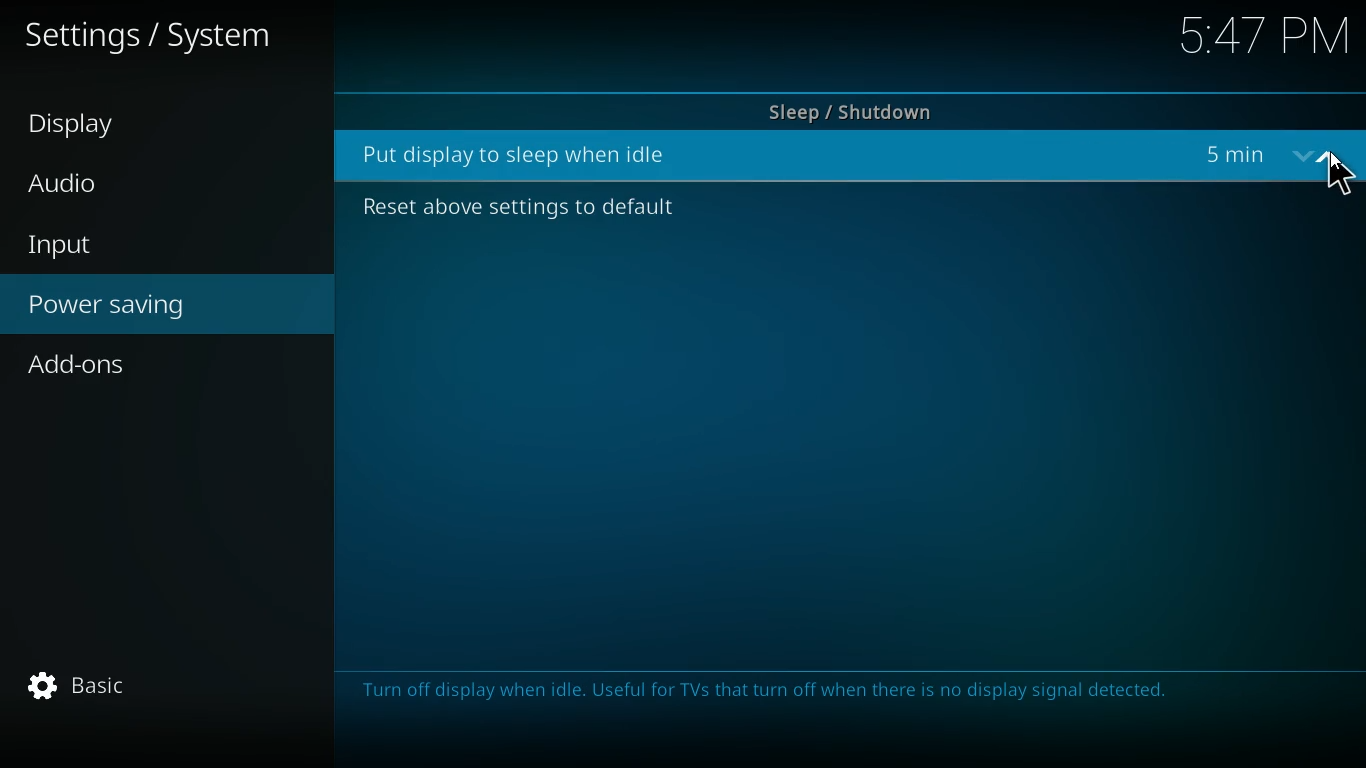 Image resolution: width=1366 pixels, height=768 pixels. What do you see at coordinates (114, 184) in the screenshot?
I see `audio` at bounding box center [114, 184].